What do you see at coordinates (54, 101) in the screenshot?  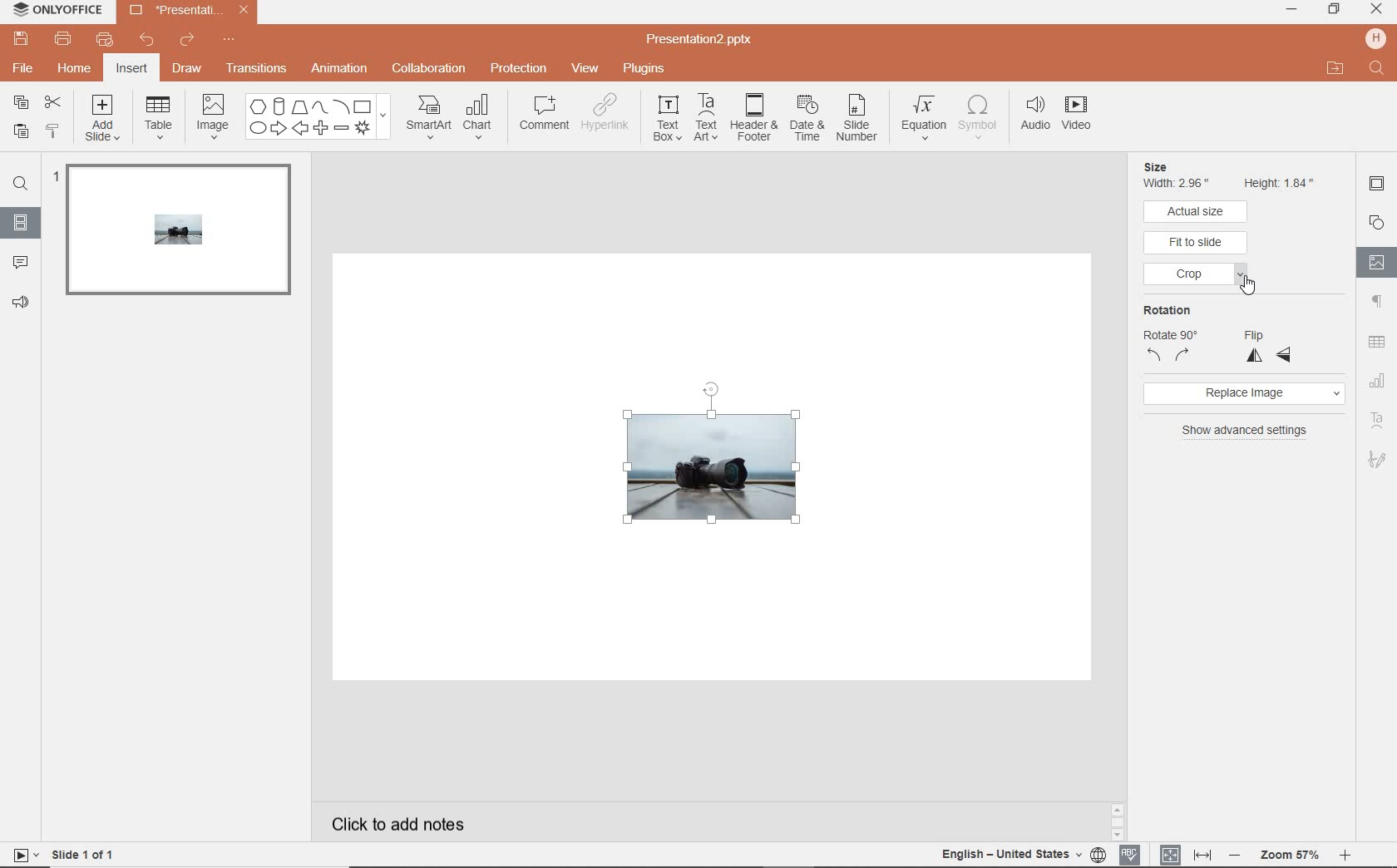 I see `cut` at bounding box center [54, 101].